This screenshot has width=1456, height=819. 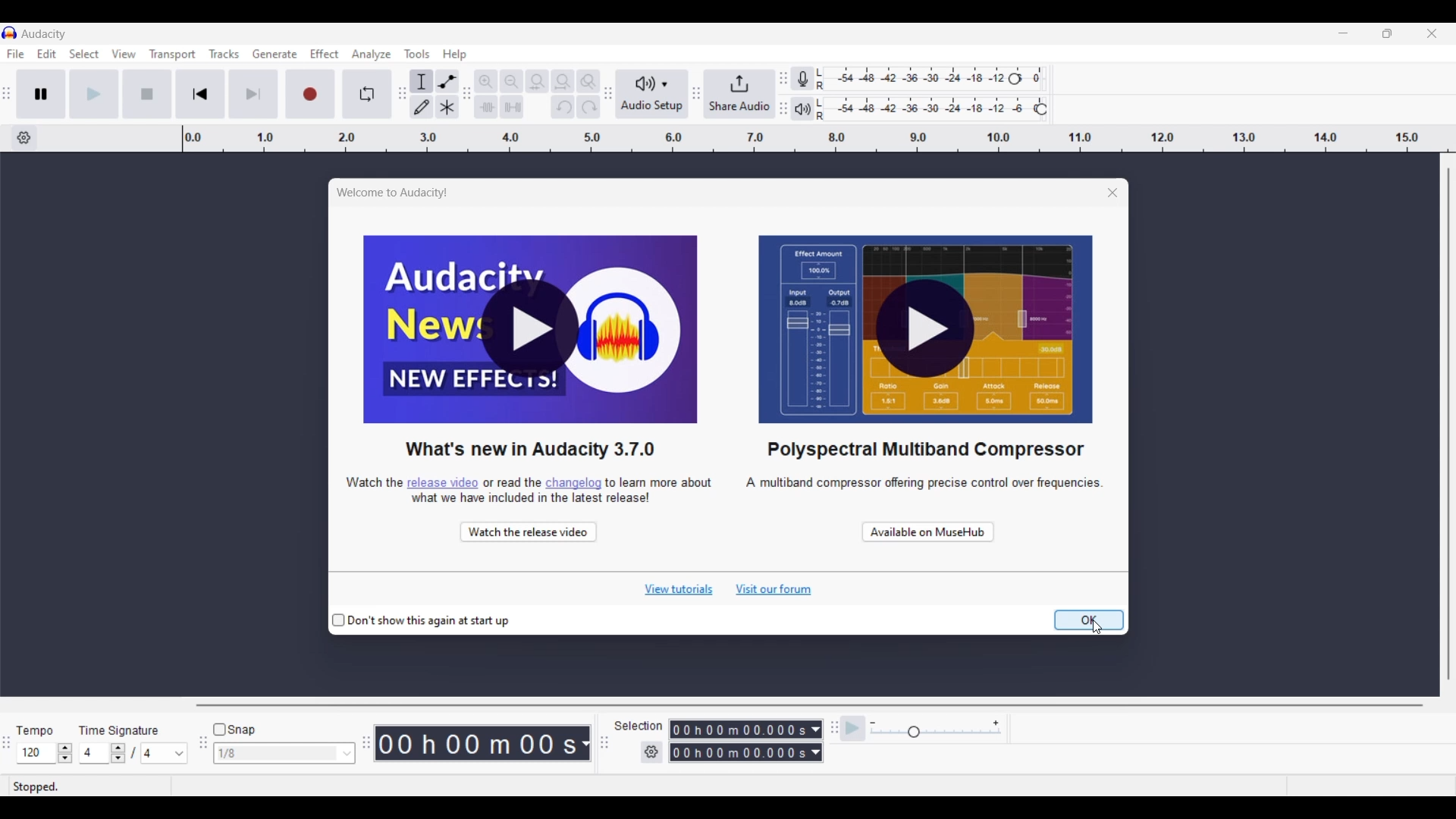 I want to click on Analyze menu, so click(x=372, y=55).